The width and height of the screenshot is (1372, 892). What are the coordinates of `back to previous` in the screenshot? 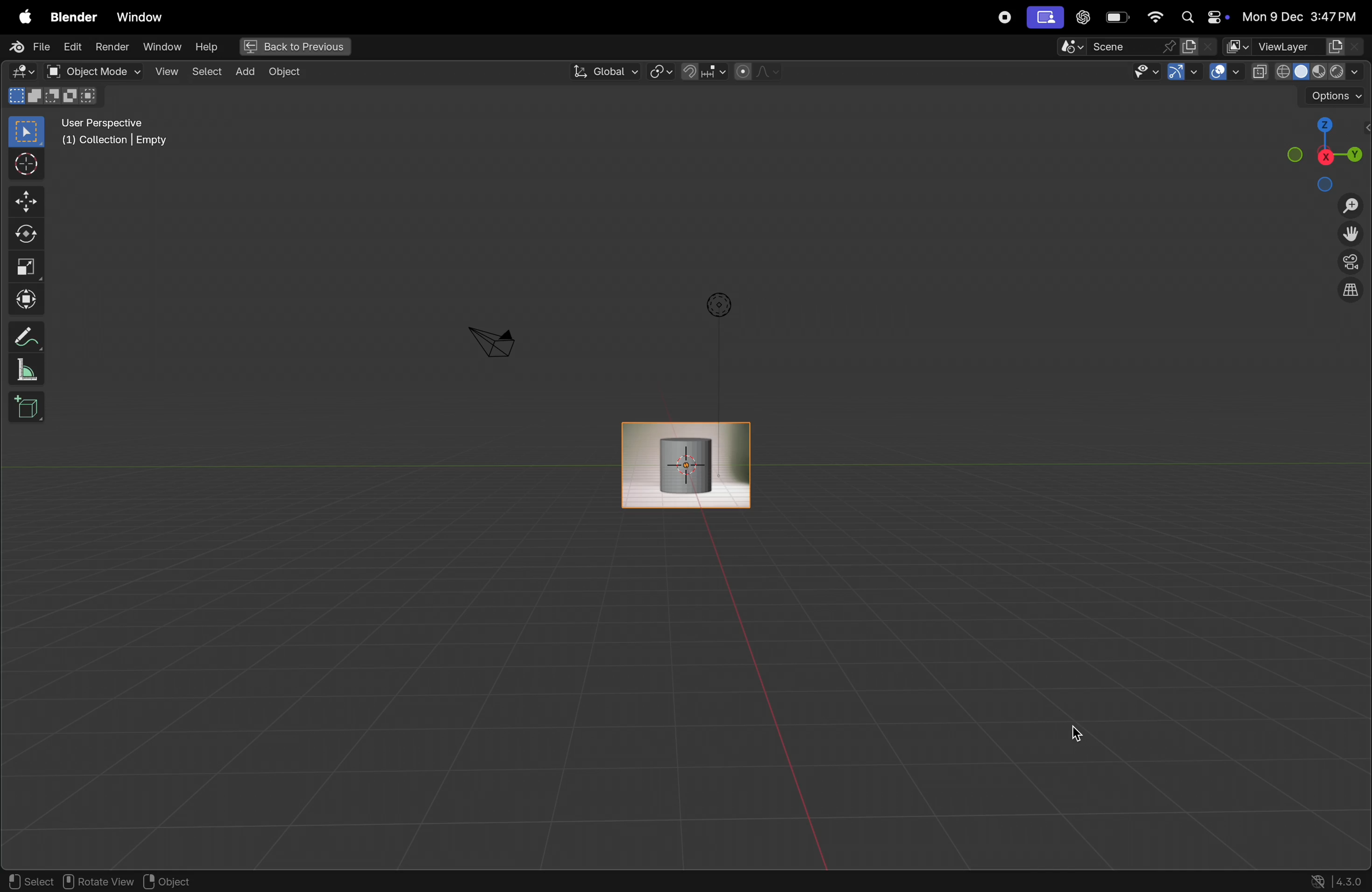 It's located at (293, 44).